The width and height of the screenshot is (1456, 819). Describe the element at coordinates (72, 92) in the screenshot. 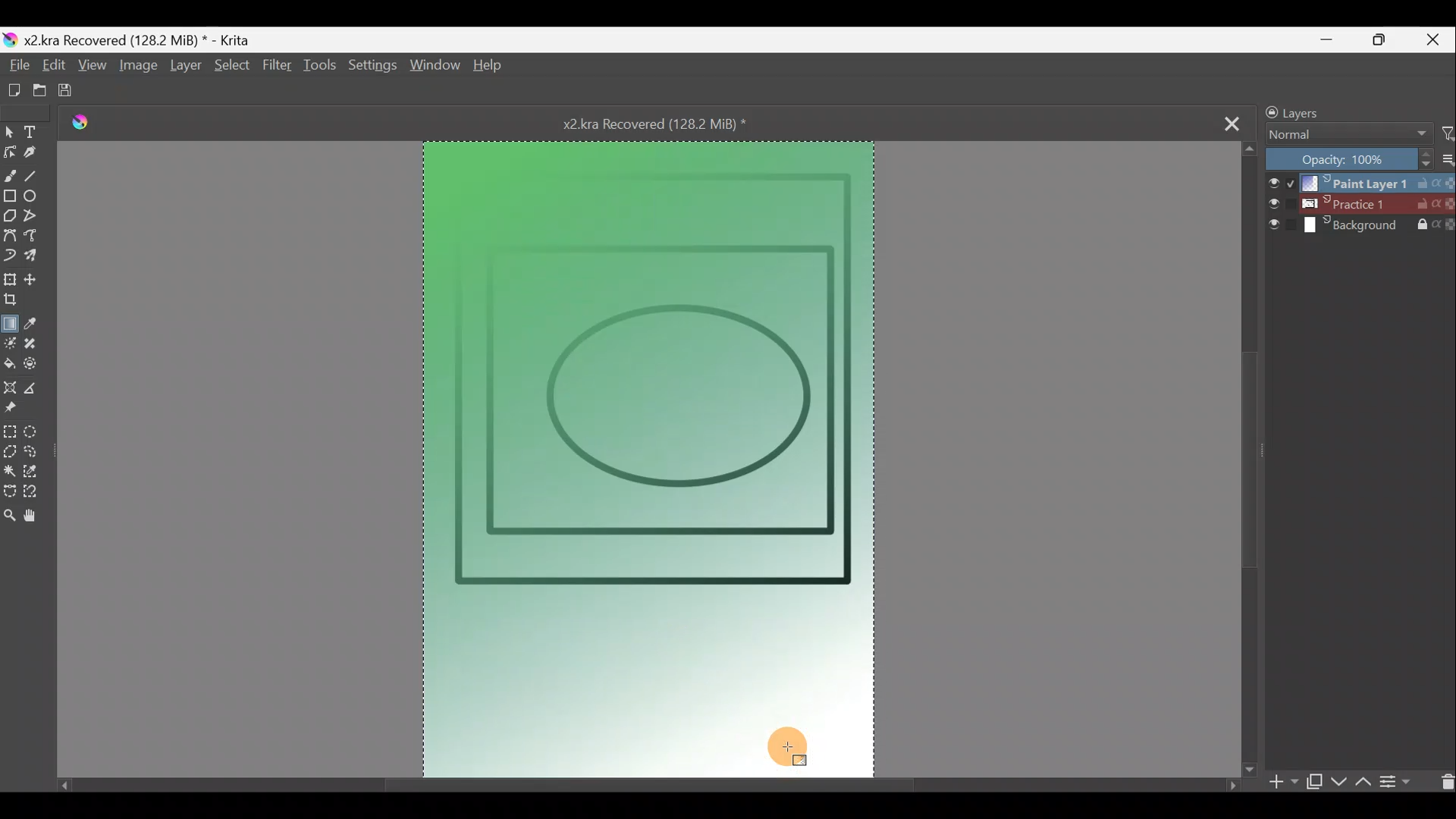

I see `Save` at that location.